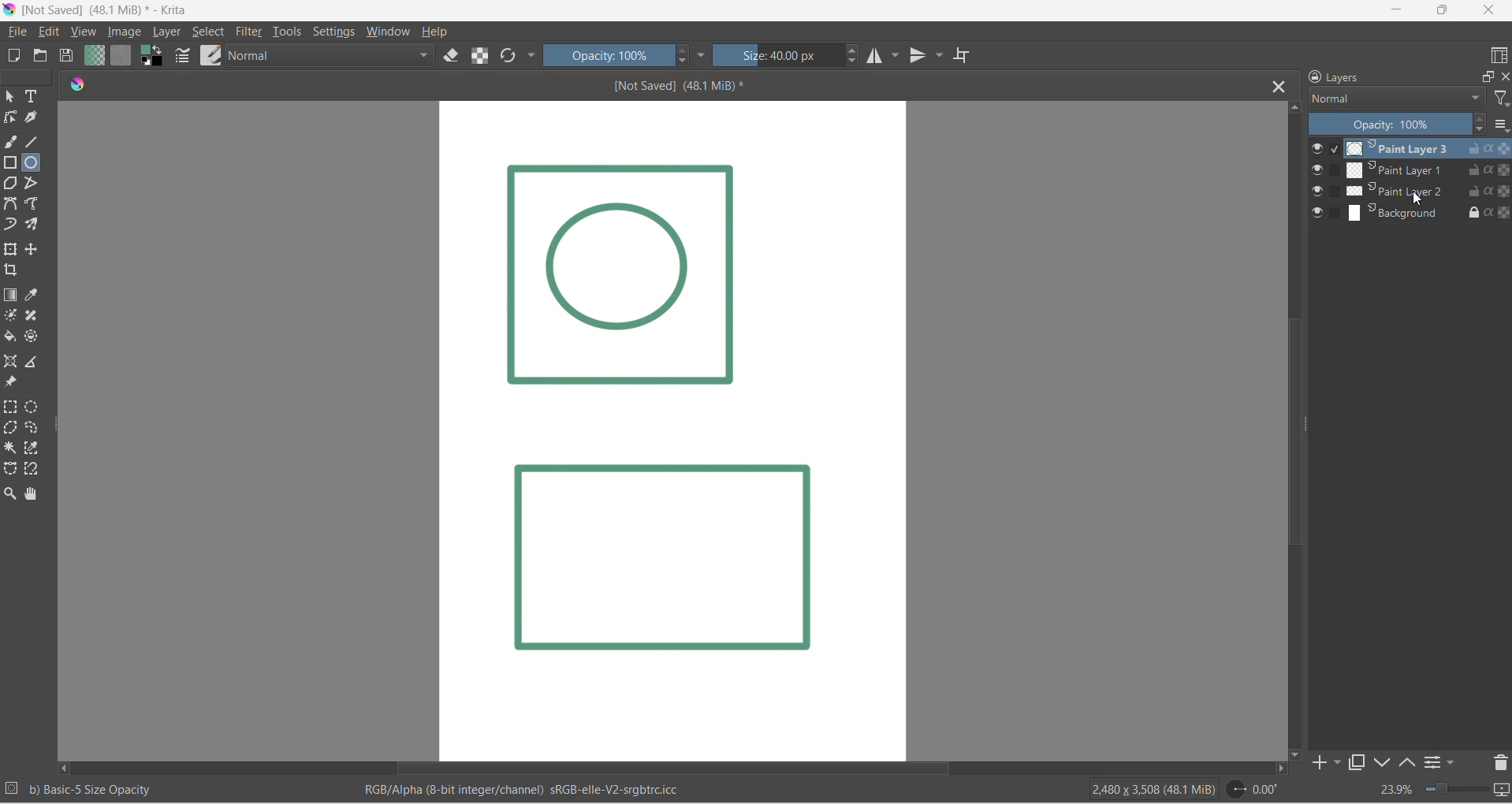 The image size is (1512, 804). Describe the element at coordinates (10, 10) in the screenshot. I see `app icon` at that location.